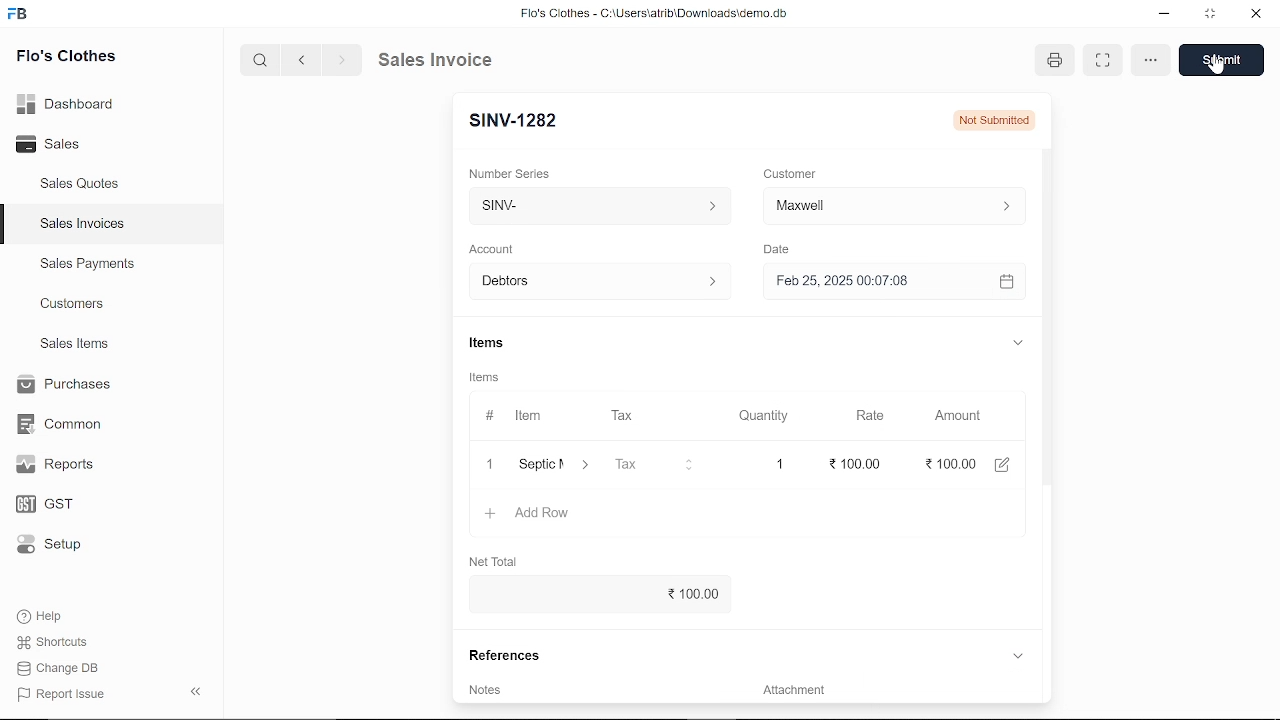  What do you see at coordinates (198, 693) in the screenshot?
I see `collapse` at bounding box center [198, 693].